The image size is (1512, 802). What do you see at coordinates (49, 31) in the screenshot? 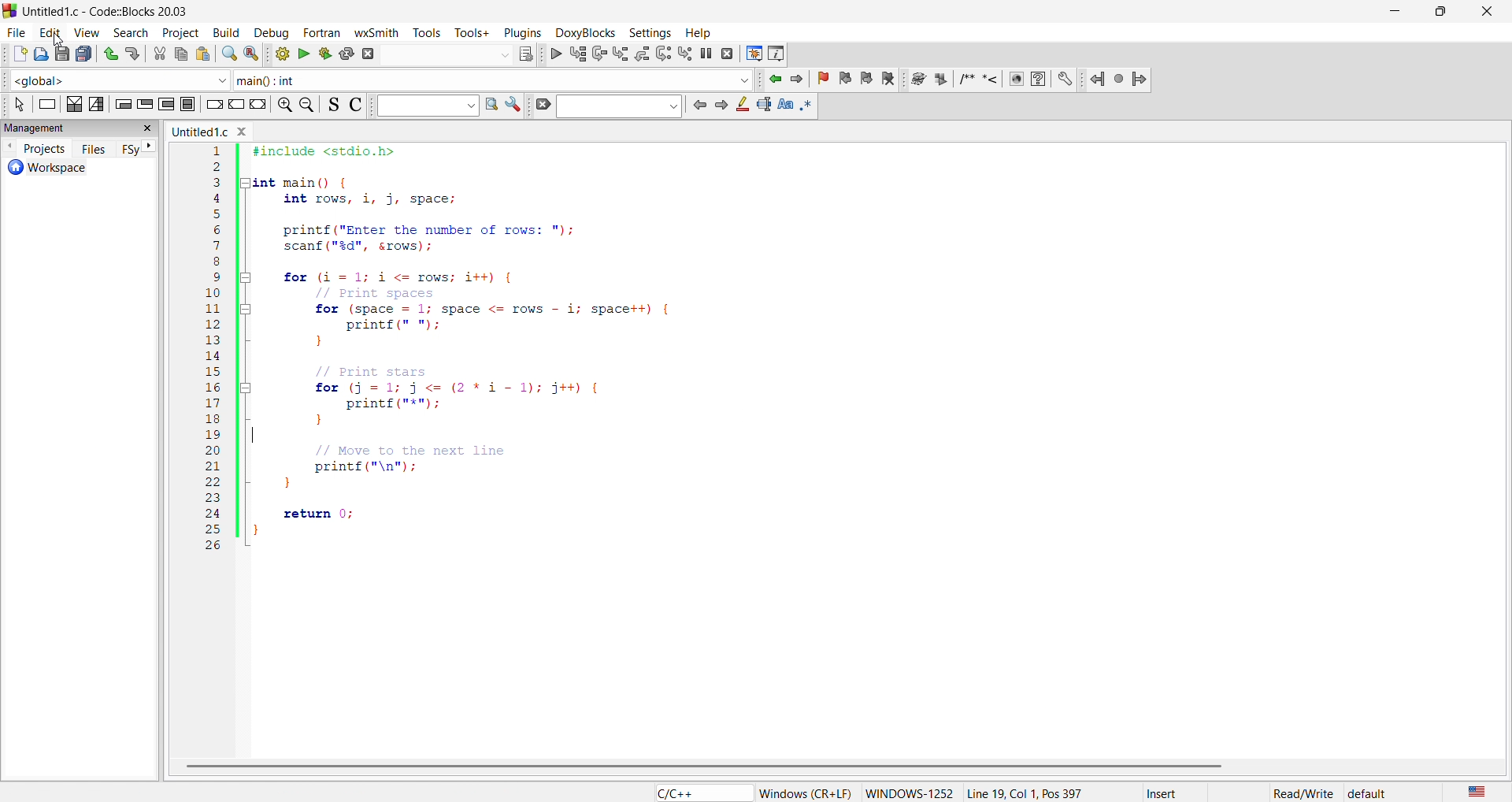
I see `edit` at bounding box center [49, 31].